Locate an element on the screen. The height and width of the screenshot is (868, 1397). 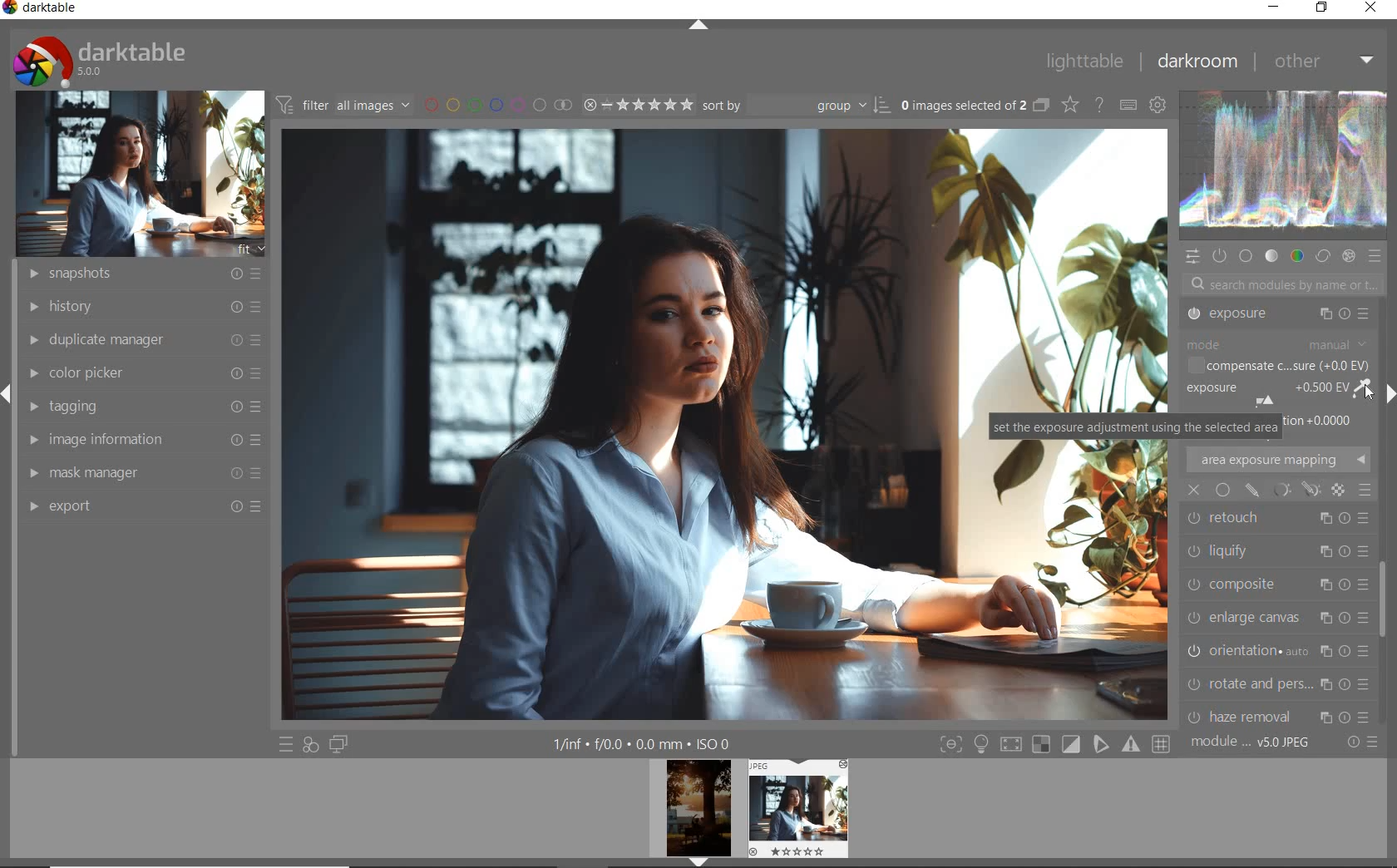
SORT is located at coordinates (793, 106).